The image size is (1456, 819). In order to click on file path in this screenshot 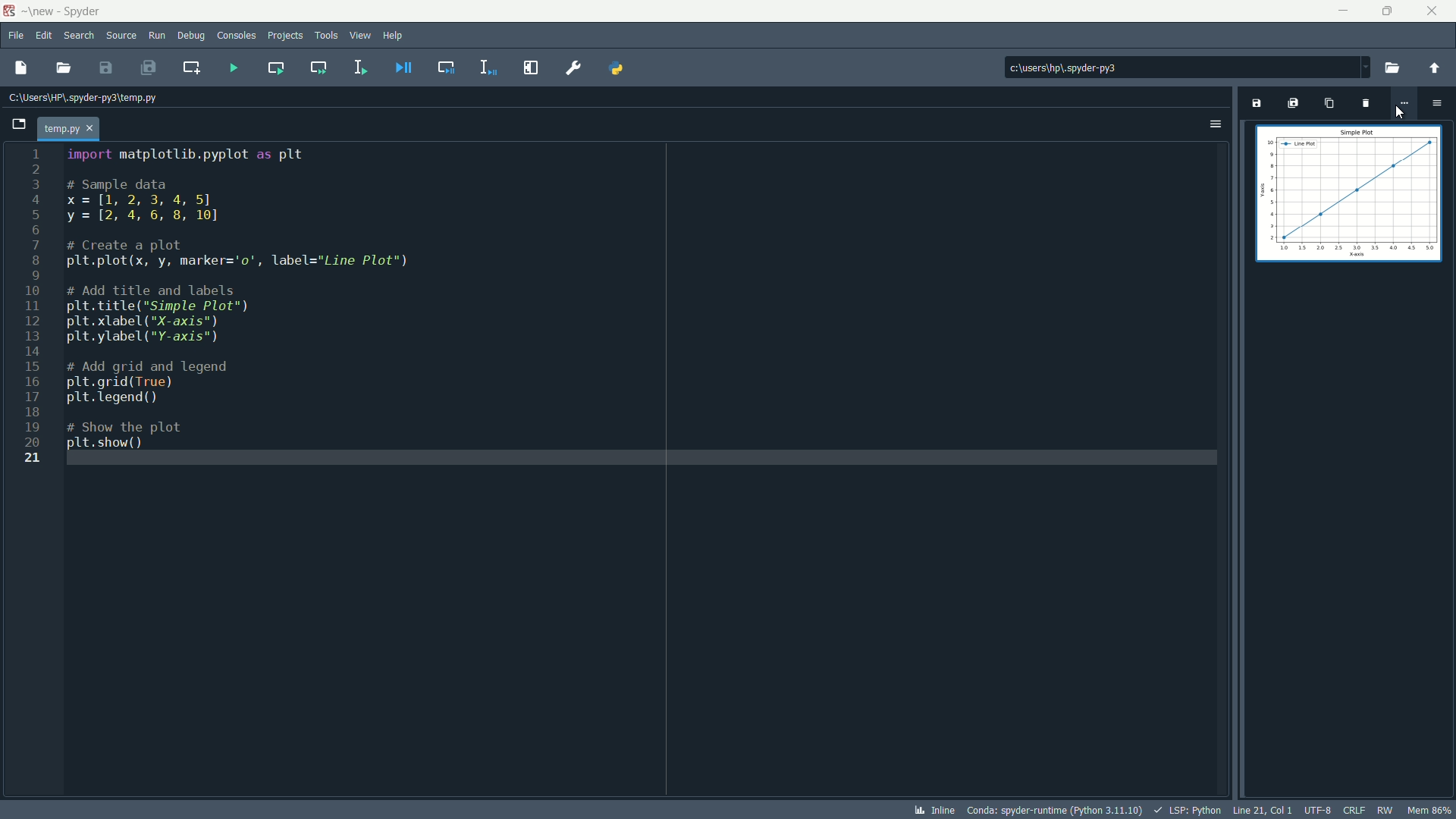, I will do `click(90, 99)`.